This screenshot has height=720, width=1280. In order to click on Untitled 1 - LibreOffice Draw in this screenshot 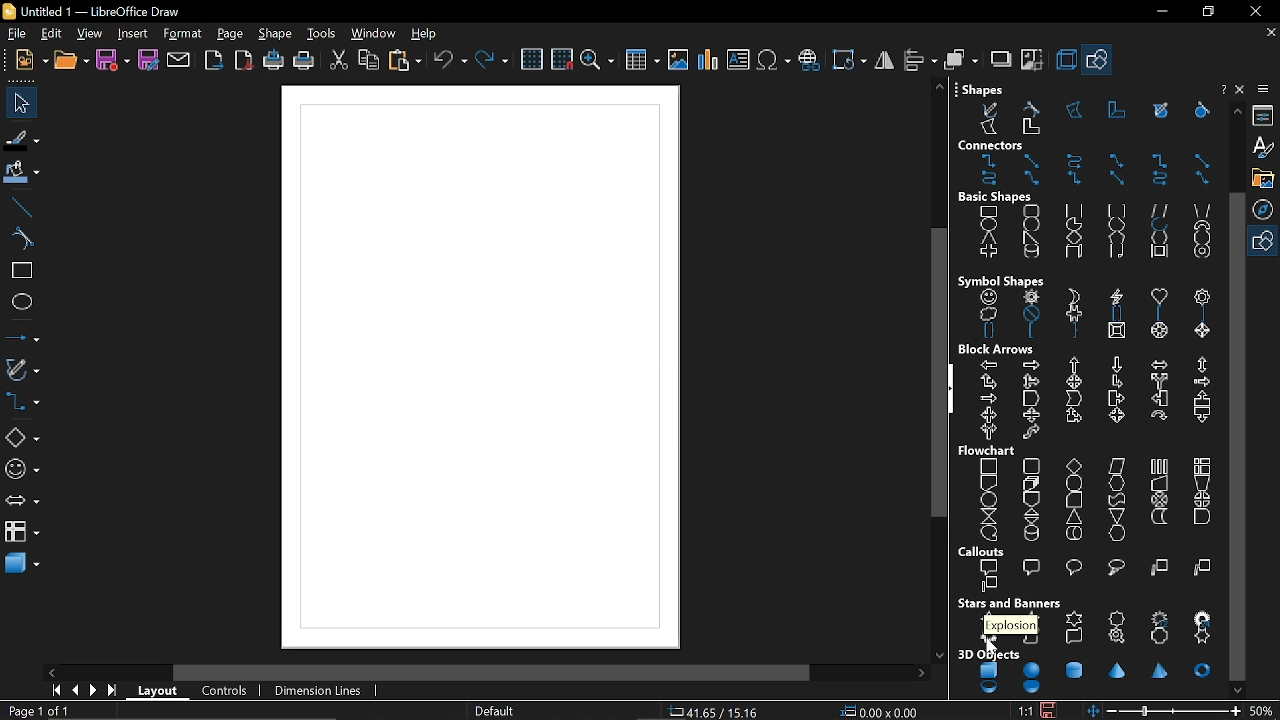, I will do `click(95, 10)`.